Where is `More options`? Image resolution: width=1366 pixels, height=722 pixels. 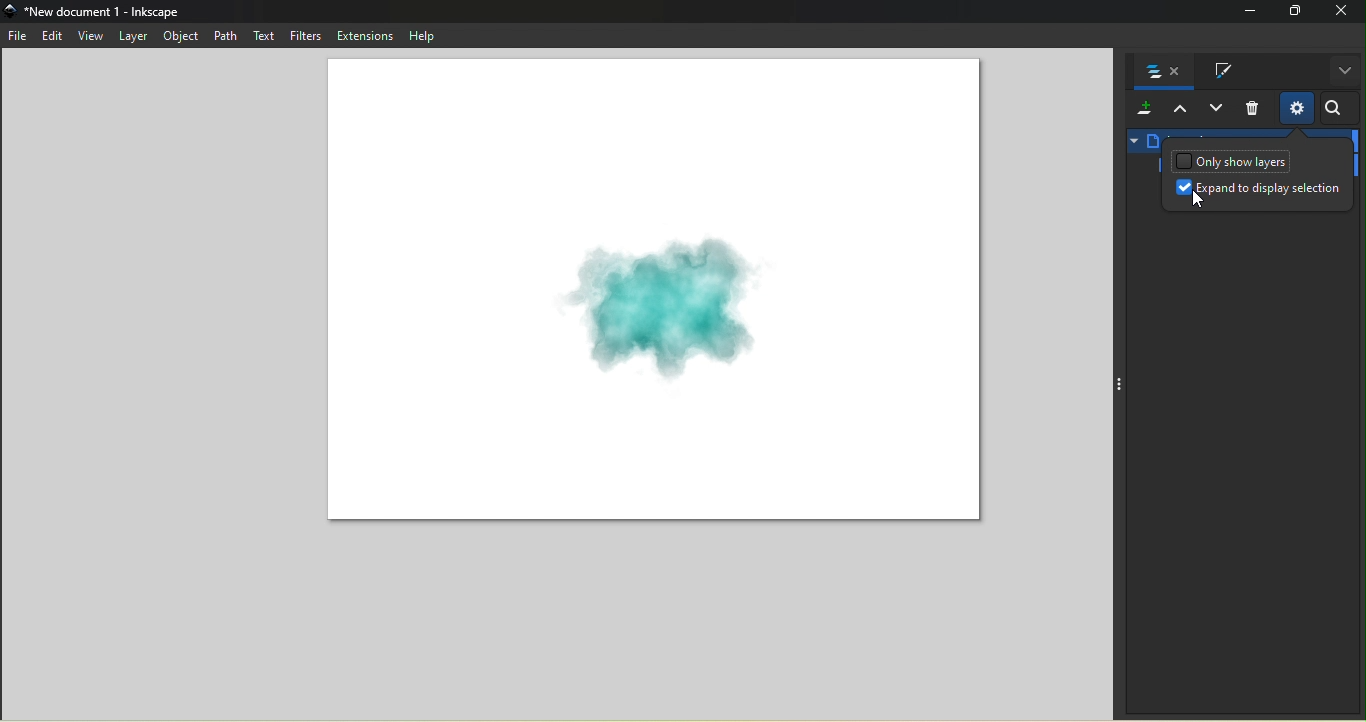 More options is located at coordinates (1344, 71).